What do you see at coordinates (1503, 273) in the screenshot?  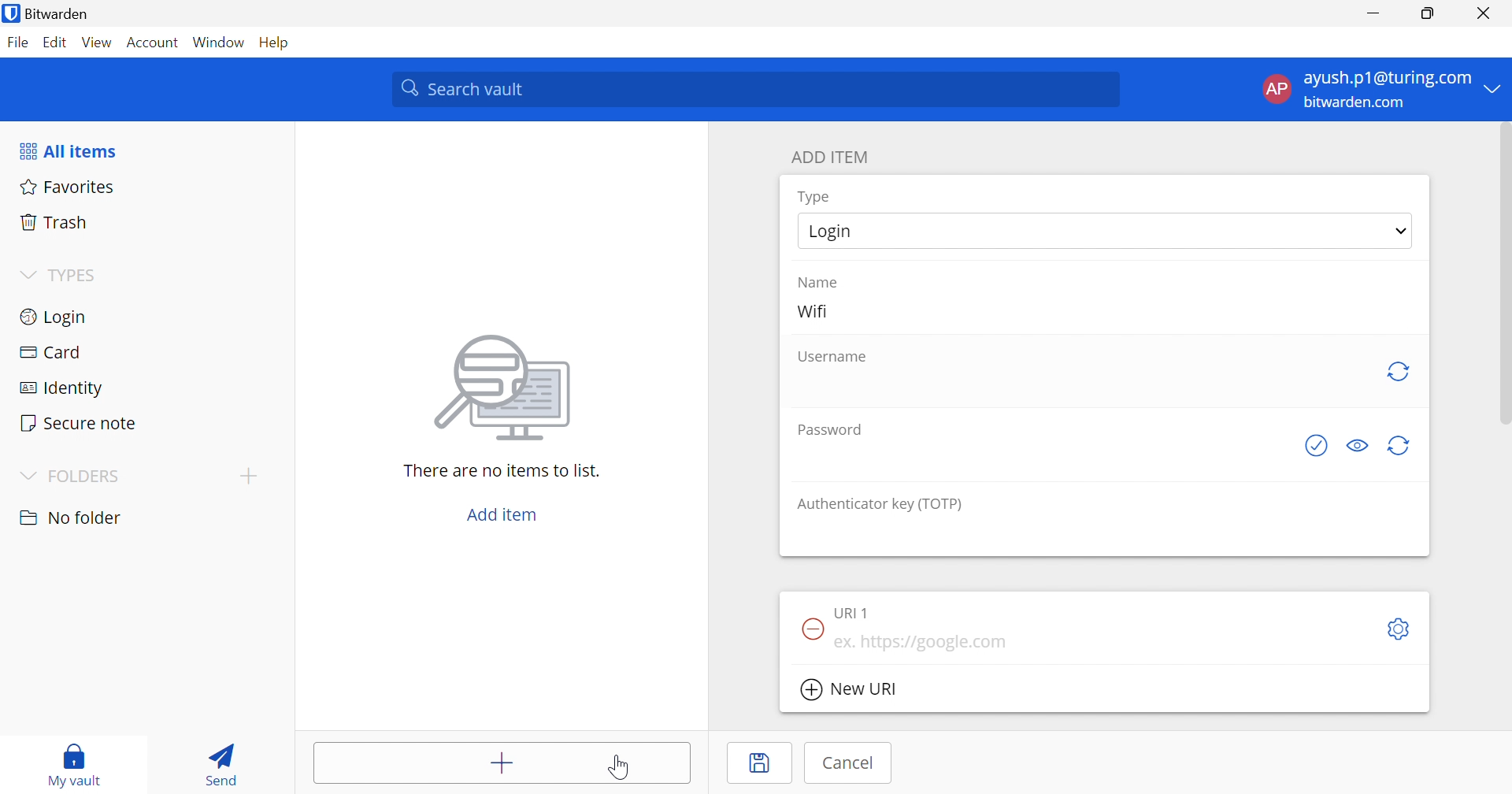 I see `scrollbar` at bounding box center [1503, 273].